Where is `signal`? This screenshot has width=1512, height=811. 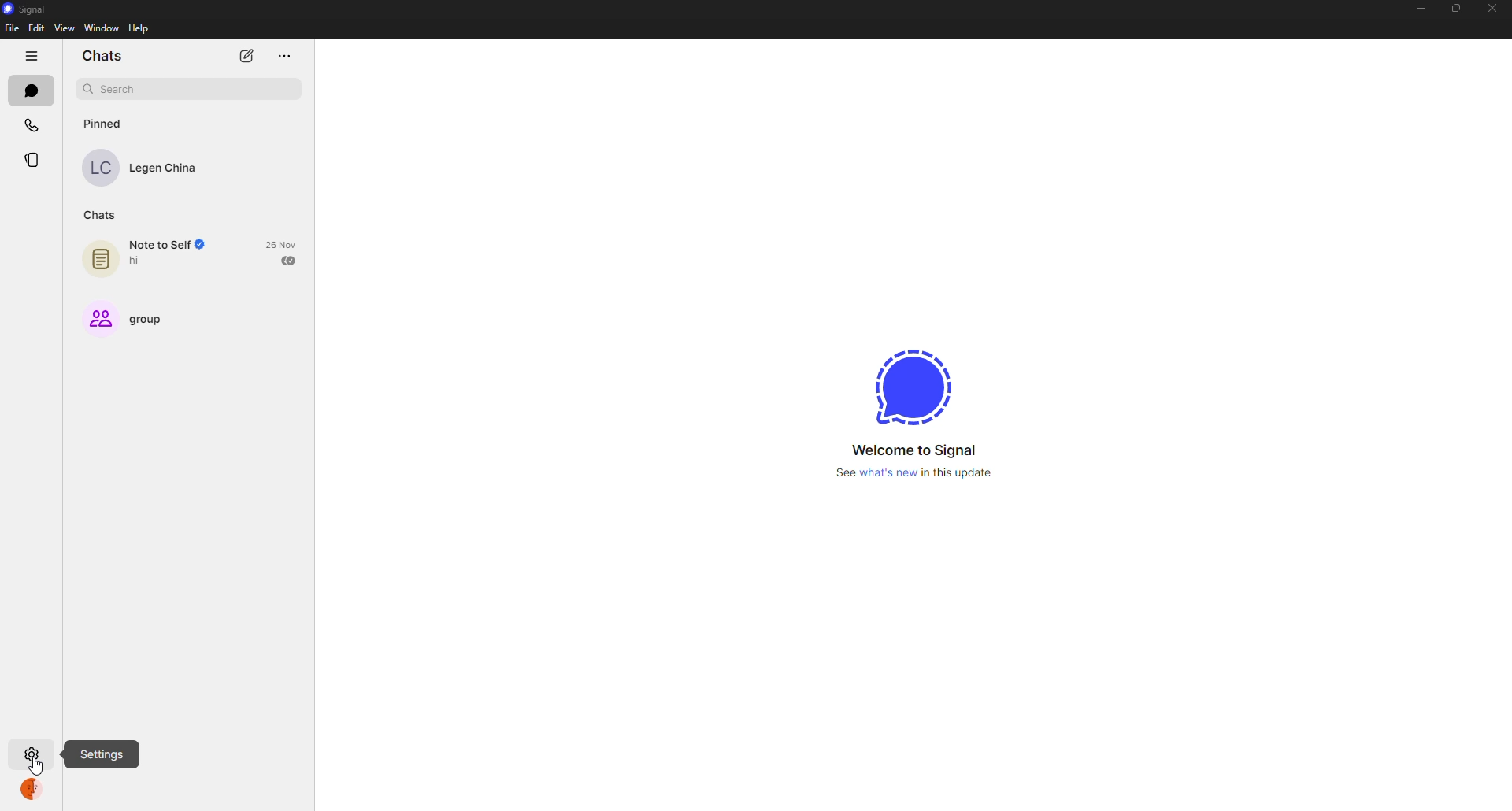 signal is located at coordinates (907, 391).